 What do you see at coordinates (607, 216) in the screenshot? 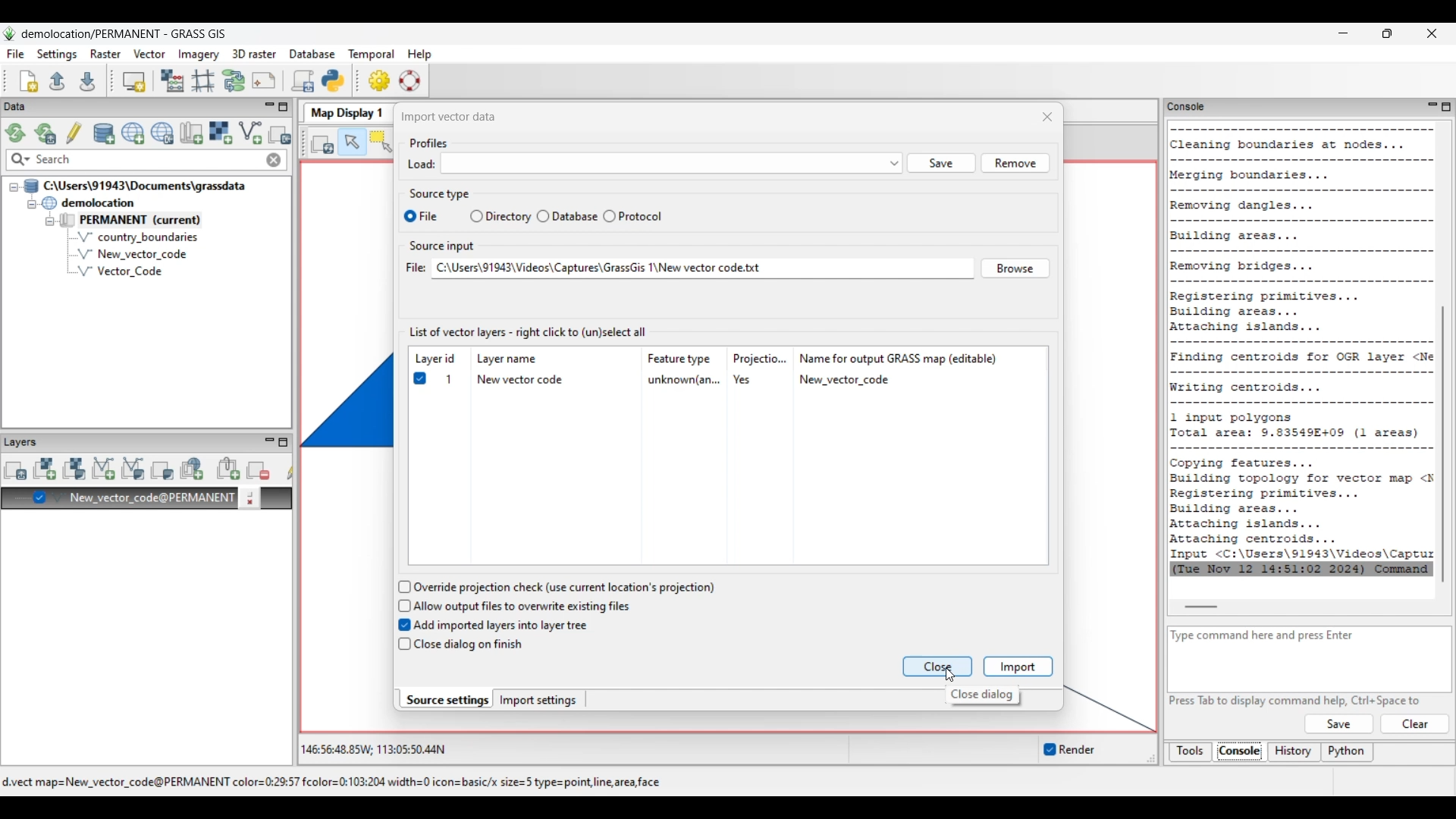
I see `select` at bounding box center [607, 216].